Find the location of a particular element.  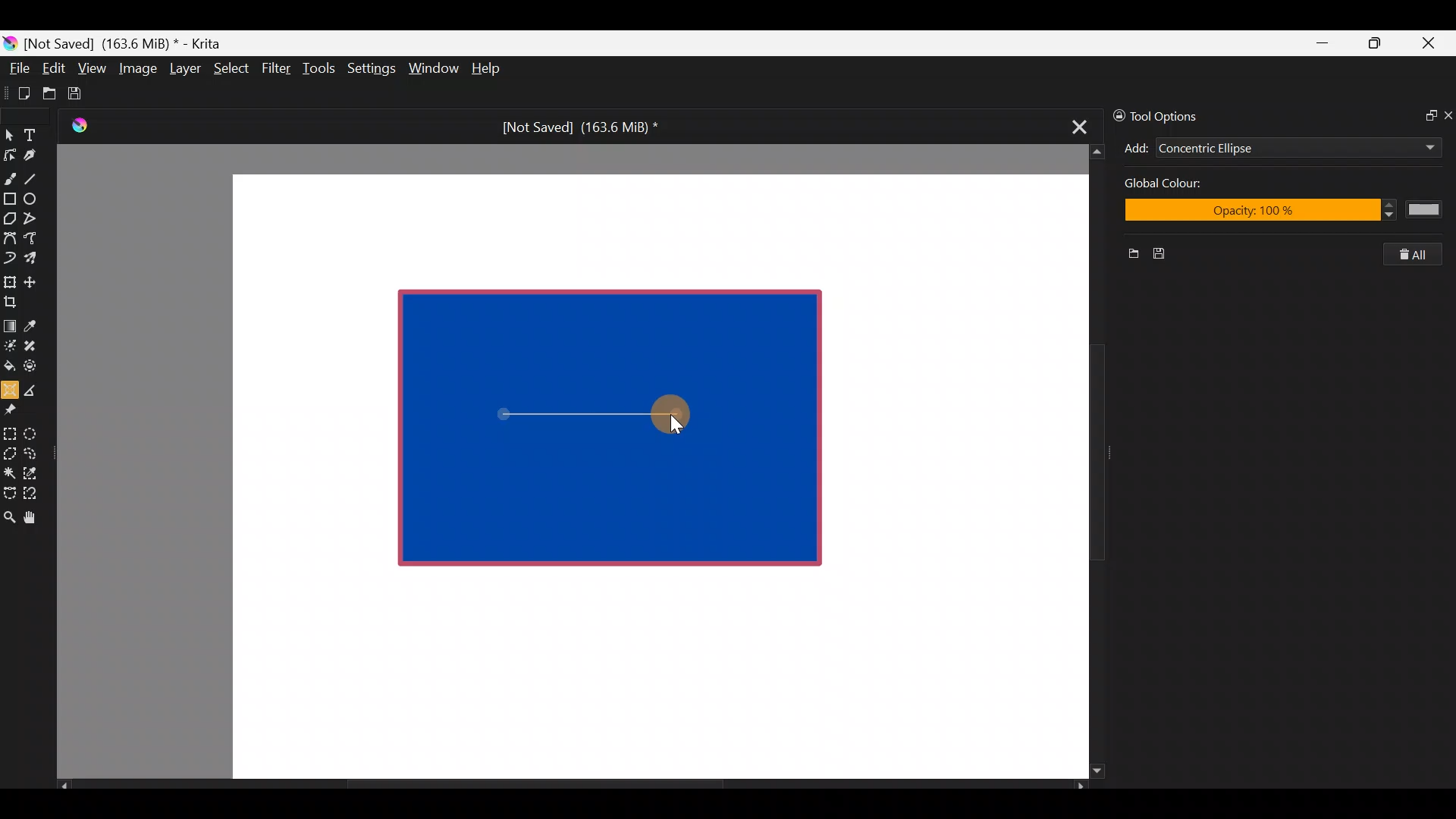

[Not Saved] (163.6 MiB) * - Krita is located at coordinates (130, 42).